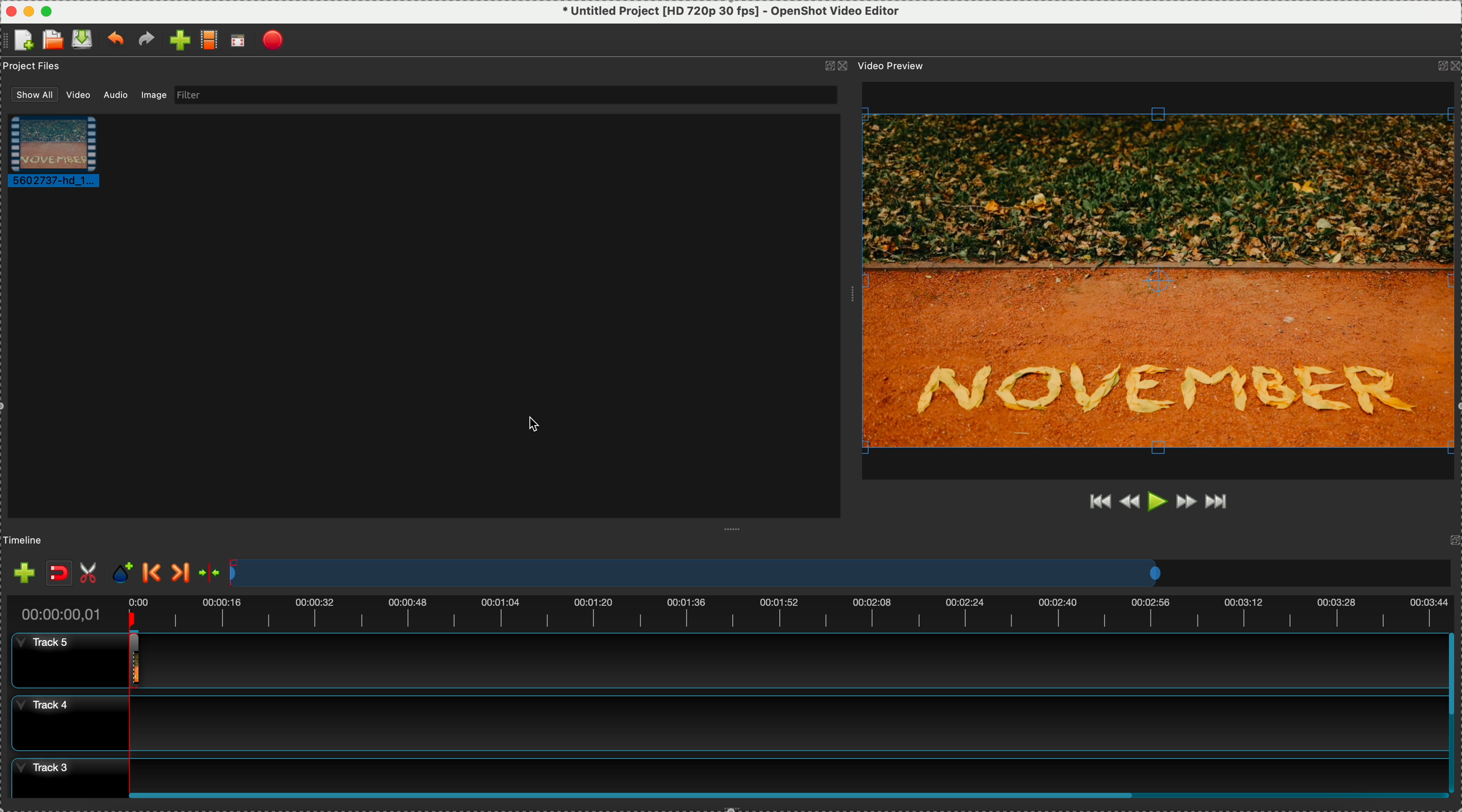 The width and height of the screenshot is (1462, 812). What do you see at coordinates (83, 39) in the screenshot?
I see `save file` at bounding box center [83, 39].